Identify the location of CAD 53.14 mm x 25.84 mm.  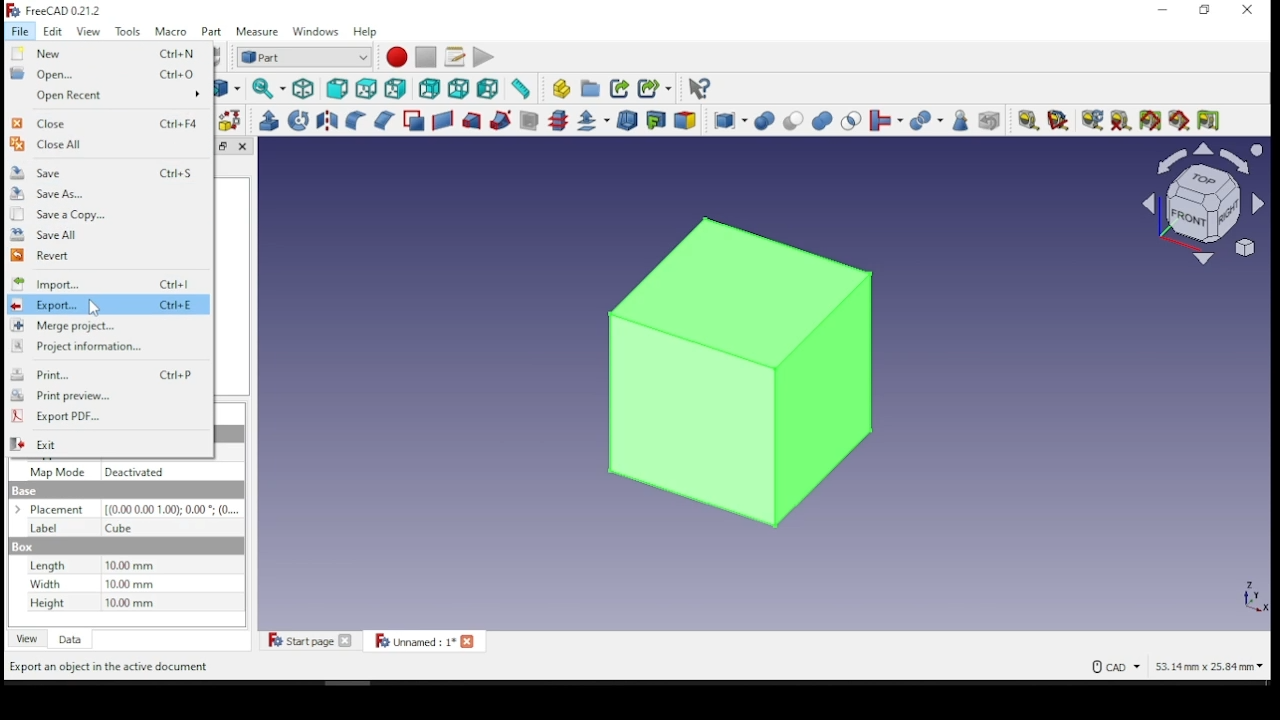
(1179, 666).